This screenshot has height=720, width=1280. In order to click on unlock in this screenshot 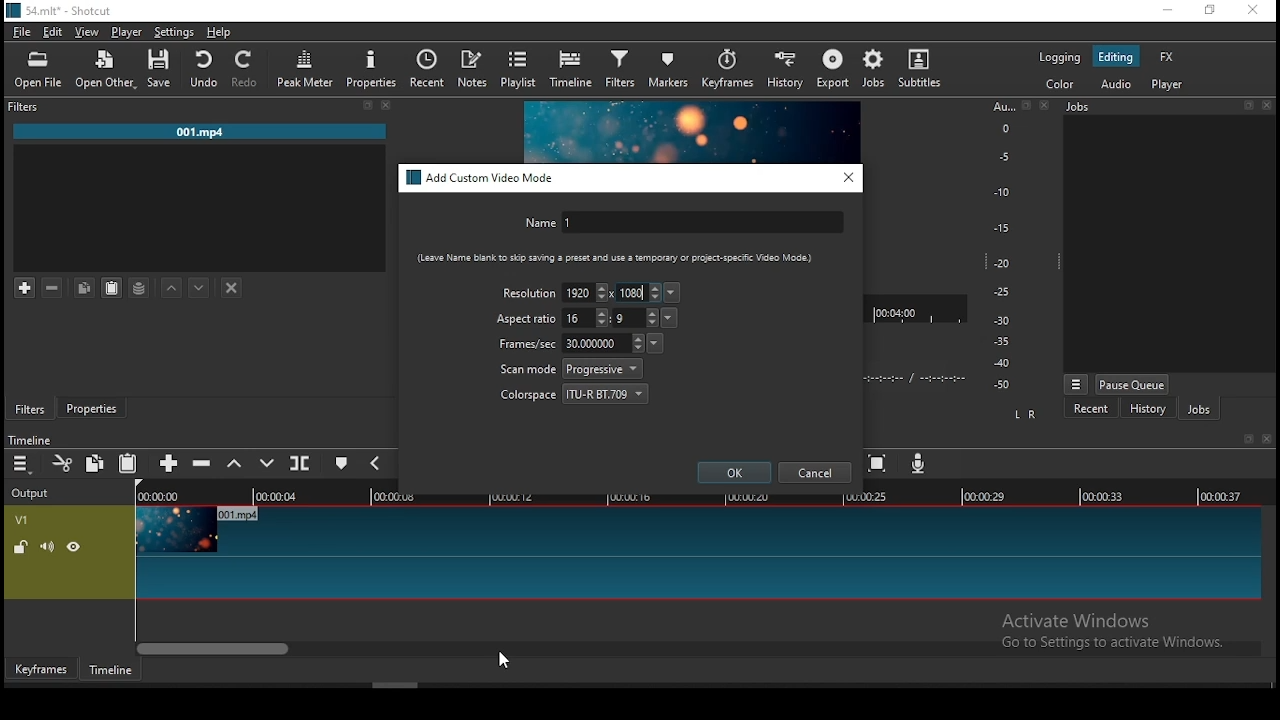, I will do `click(20, 549)`.